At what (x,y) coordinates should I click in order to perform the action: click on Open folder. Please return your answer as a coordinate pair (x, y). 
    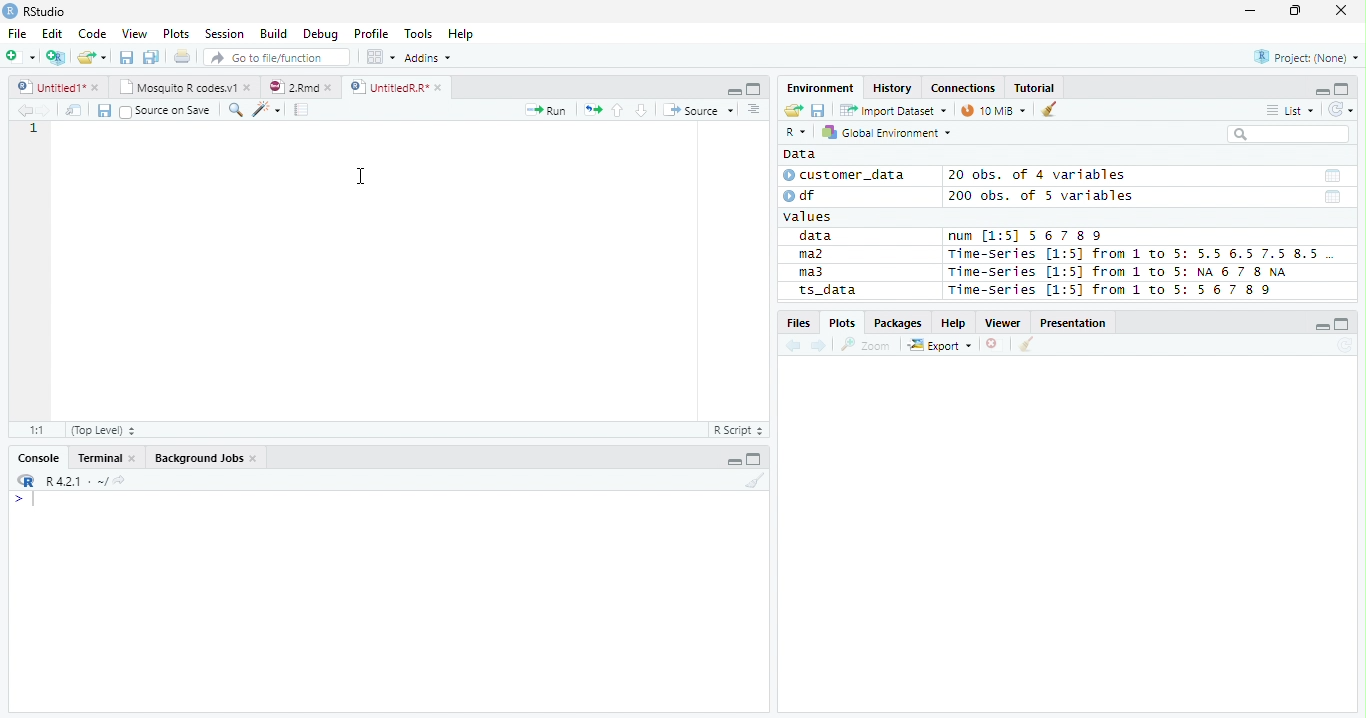
    Looking at the image, I should click on (791, 111).